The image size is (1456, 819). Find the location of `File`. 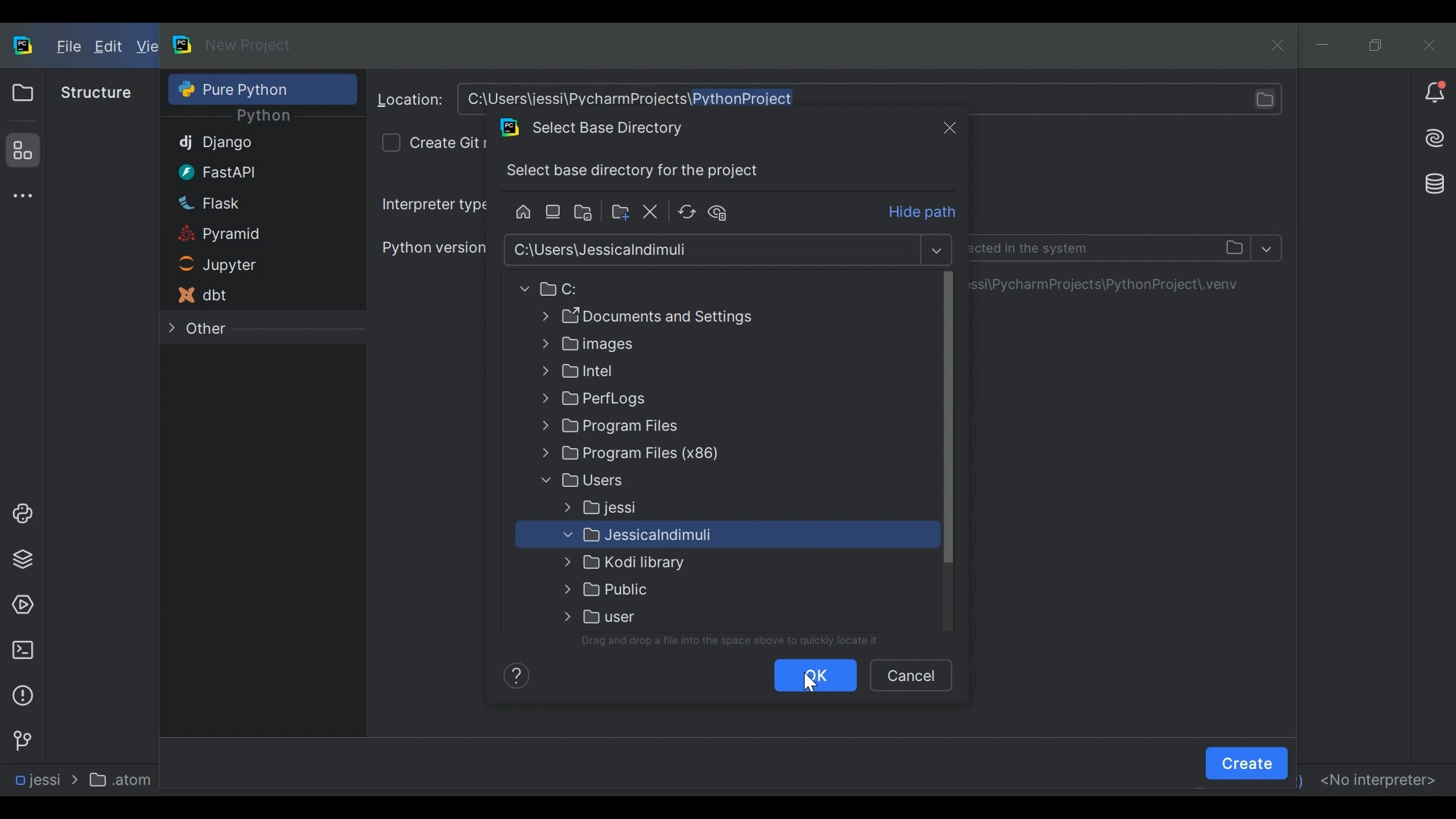

File is located at coordinates (67, 48).